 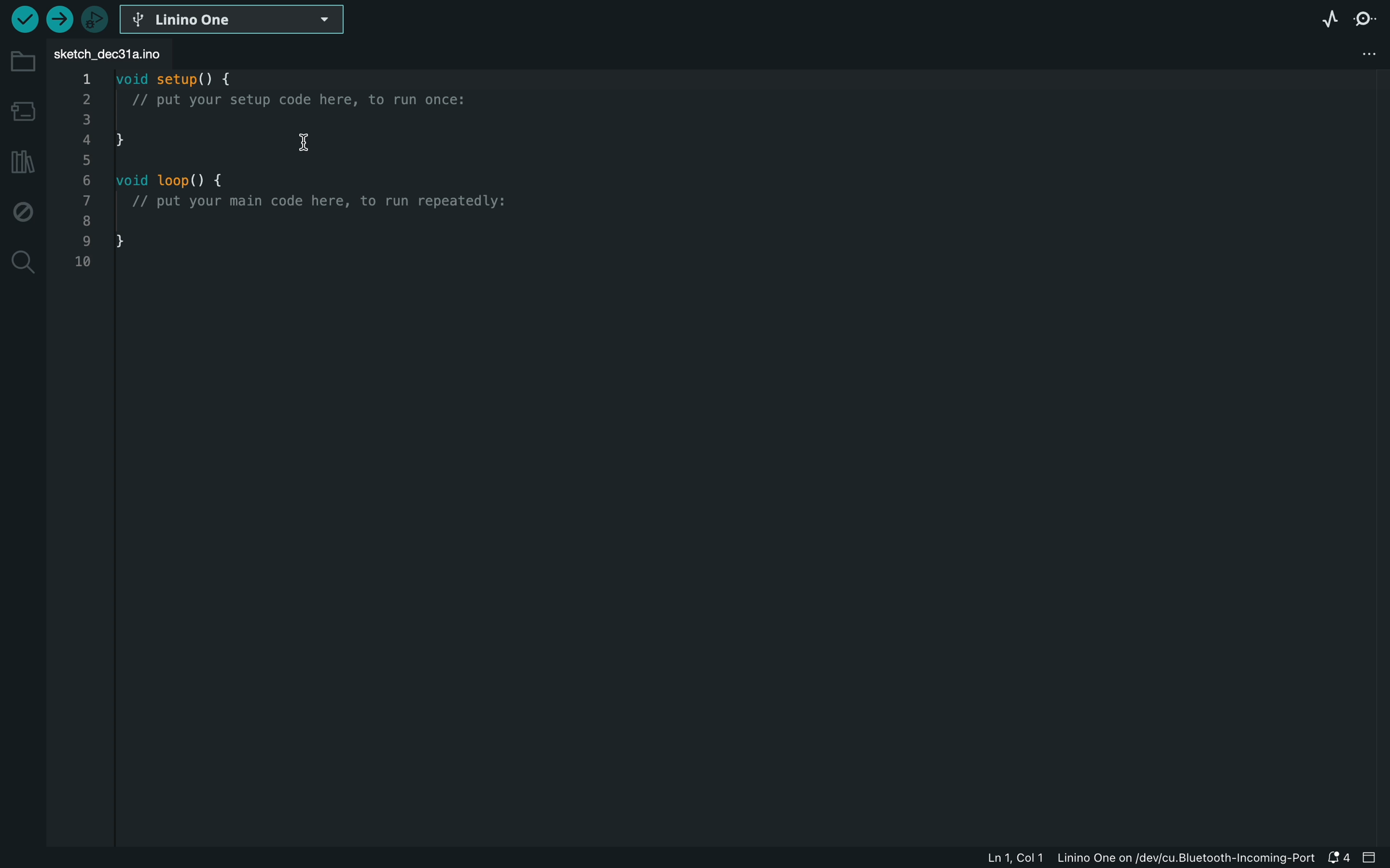 What do you see at coordinates (1144, 859) in the screenshot?
I see `file information` at bounding box center [1144, 859].